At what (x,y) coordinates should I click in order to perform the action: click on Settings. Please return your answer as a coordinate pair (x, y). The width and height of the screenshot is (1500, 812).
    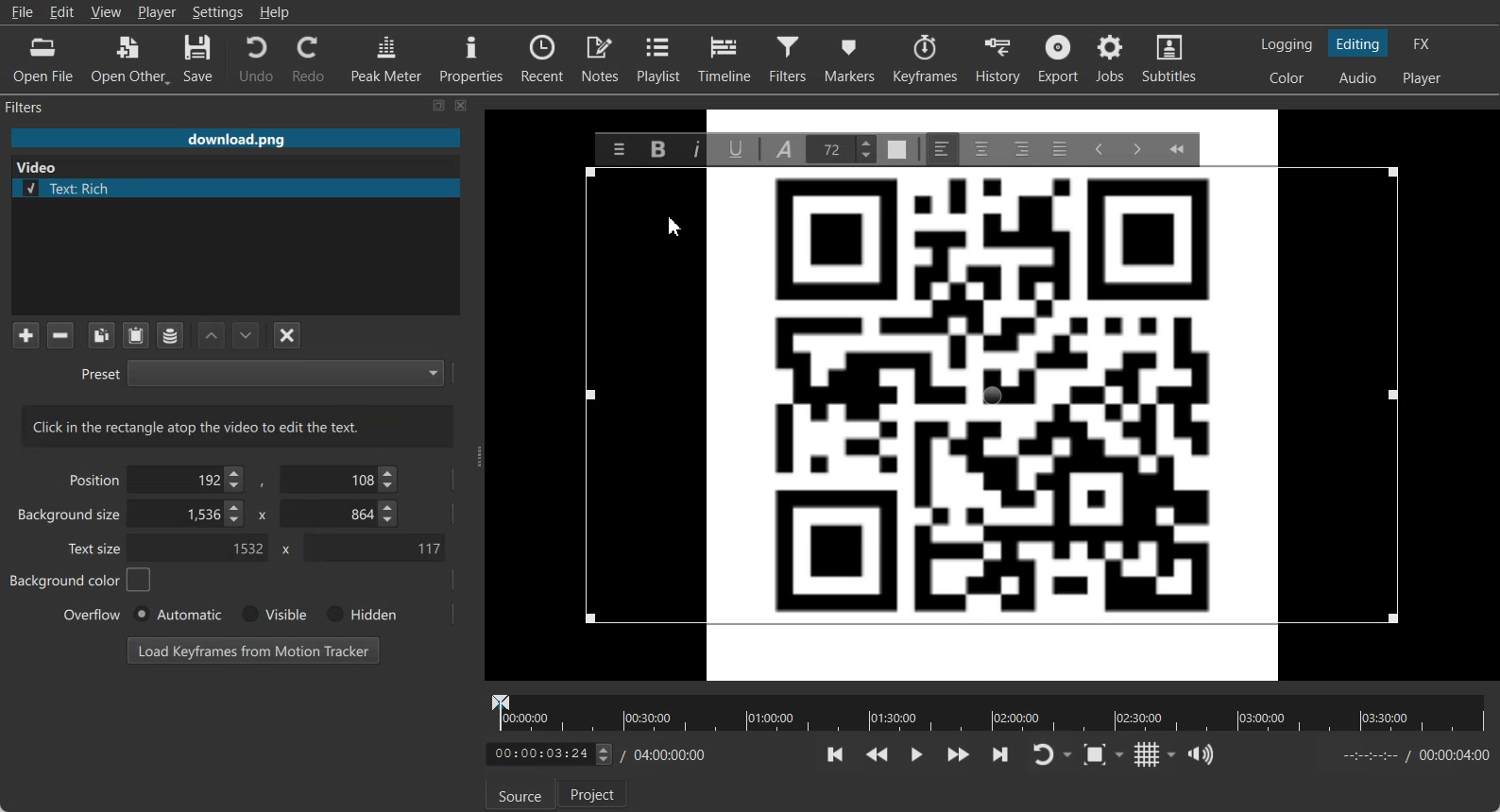
    Looking at the image, I should click on (218, 12).